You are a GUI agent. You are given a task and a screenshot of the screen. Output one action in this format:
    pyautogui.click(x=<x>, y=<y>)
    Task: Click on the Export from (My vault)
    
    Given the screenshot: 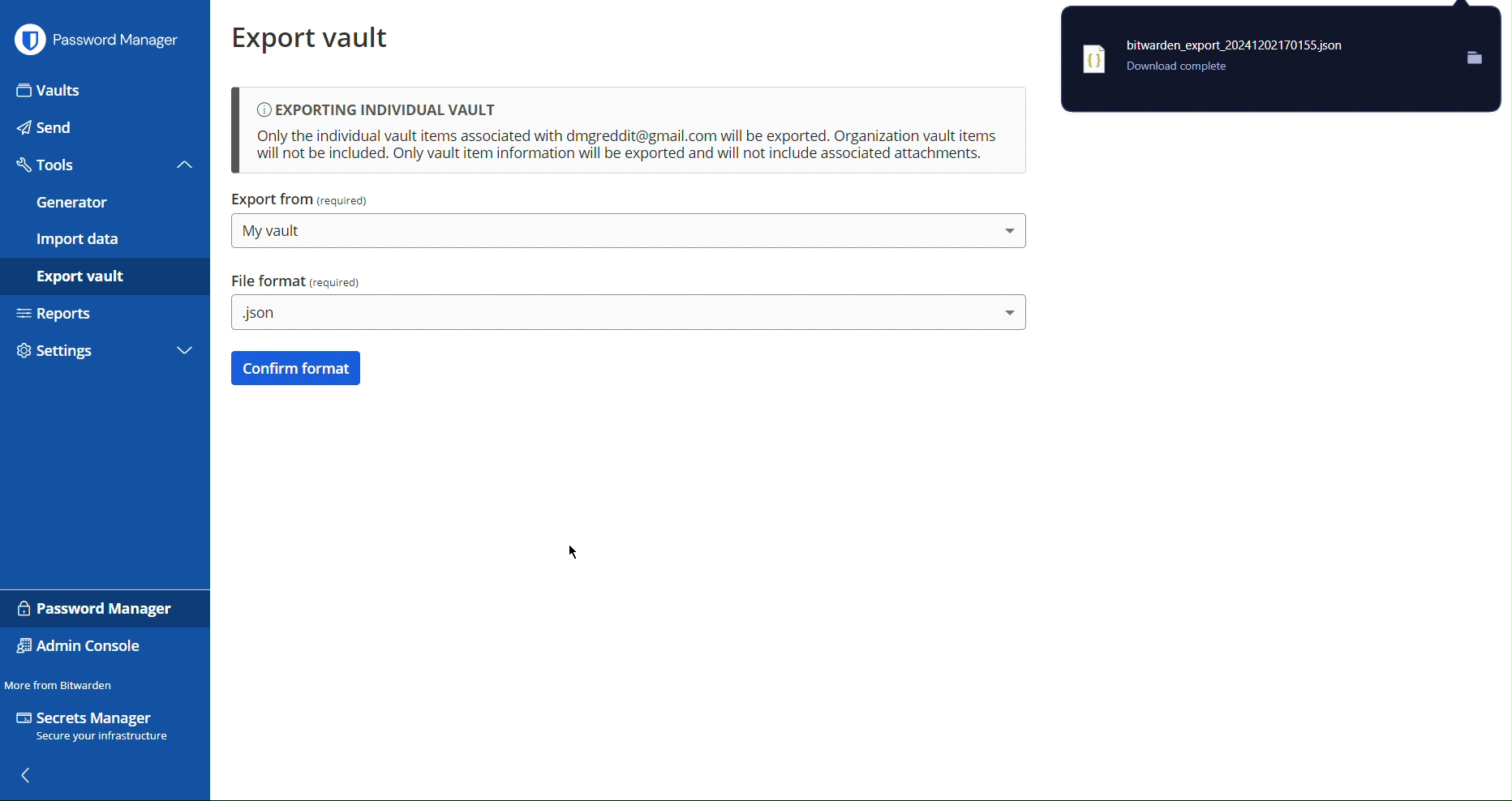 What is the action you would take?
    pyautogui.click(x=303, y=200)
    